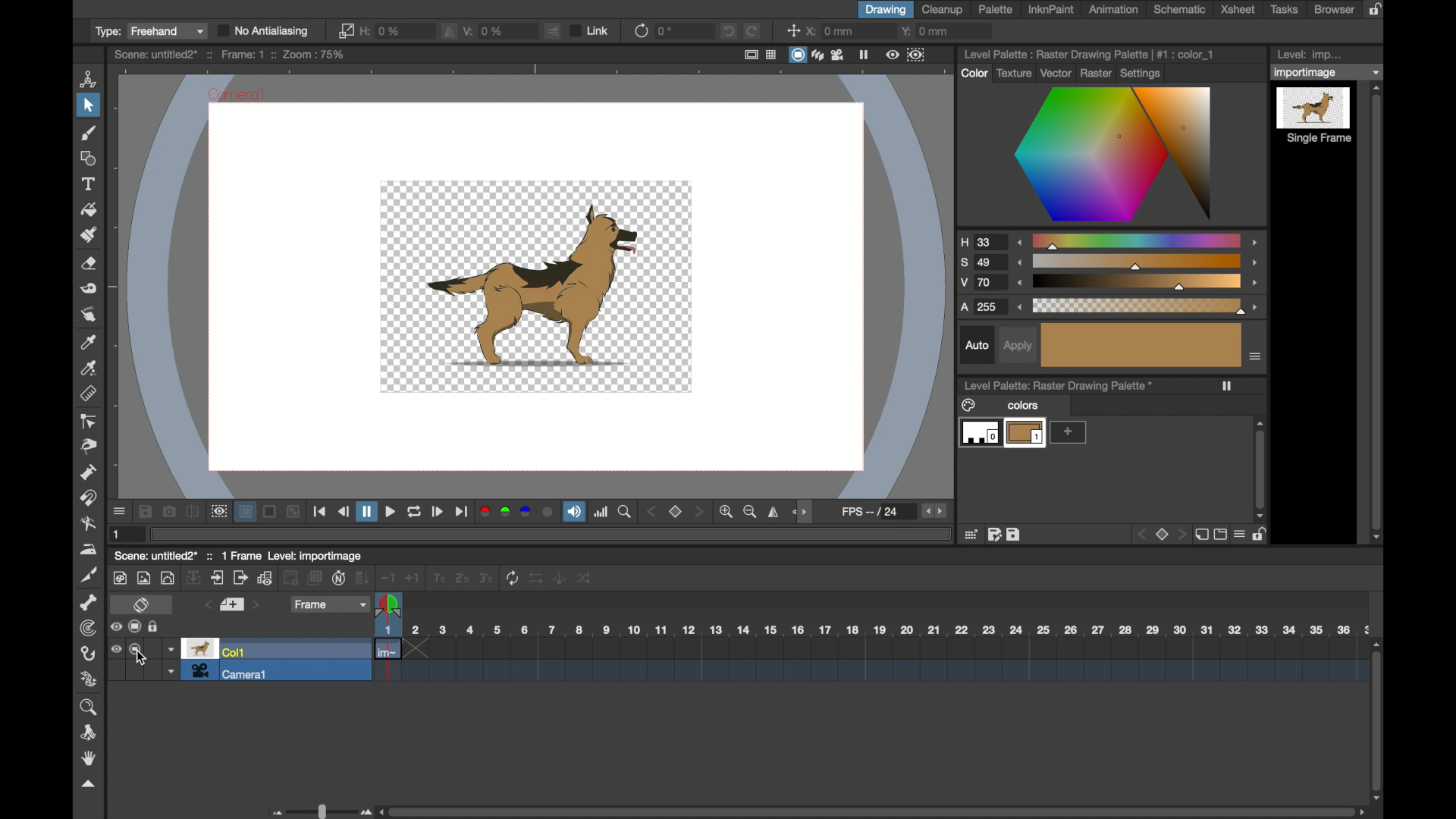 The image size is (1456, 819). Describe the element at coordinates (87, 654) in the screenshot. I see `hook tool` at that location.